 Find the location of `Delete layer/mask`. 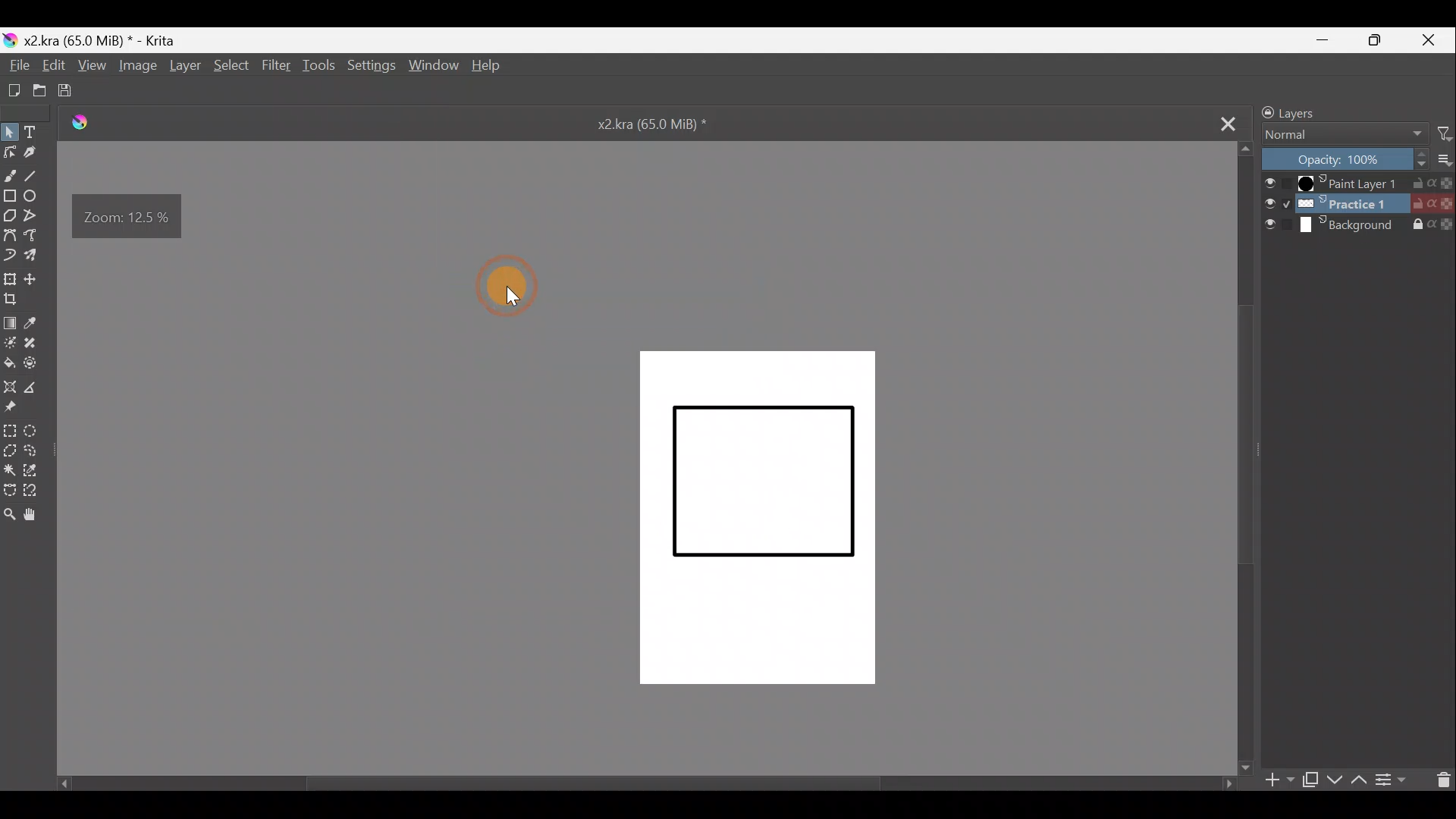

Delete layer/mask is located at coordinates (1444, 780).